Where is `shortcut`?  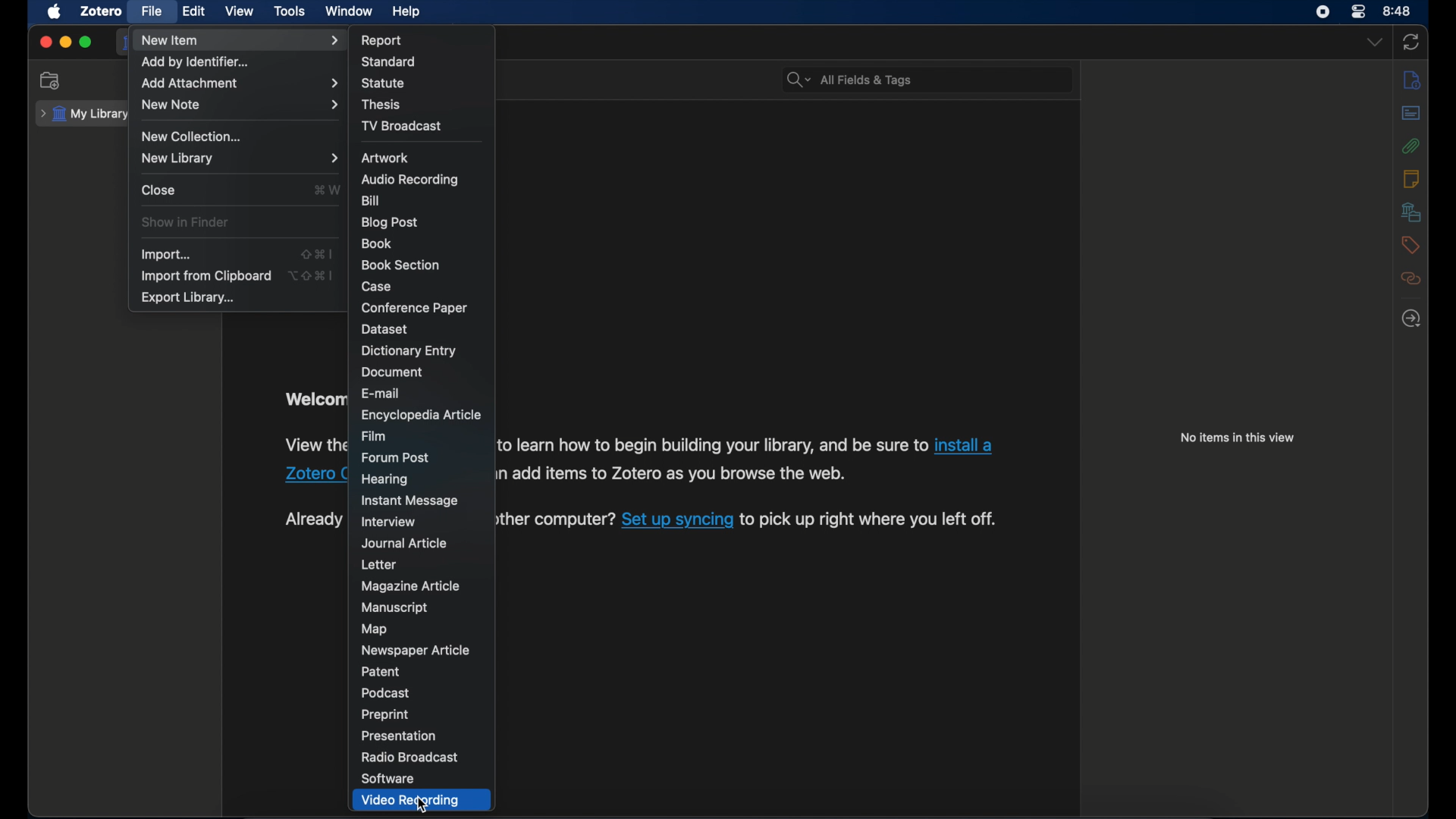 shortcut is located at coordinates (318, 254).